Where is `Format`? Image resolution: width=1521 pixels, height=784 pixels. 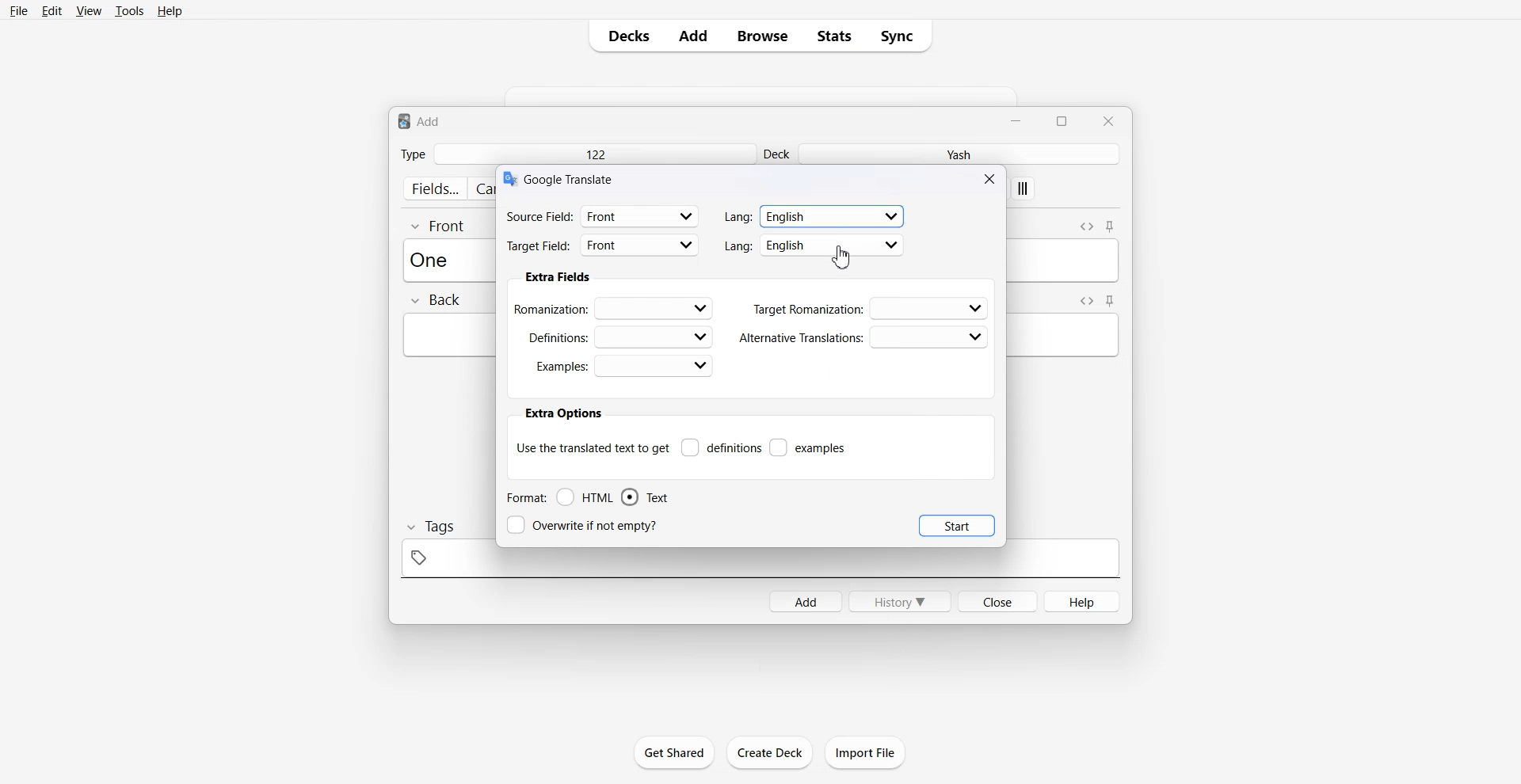 Format is located at coordinates (525, 497).